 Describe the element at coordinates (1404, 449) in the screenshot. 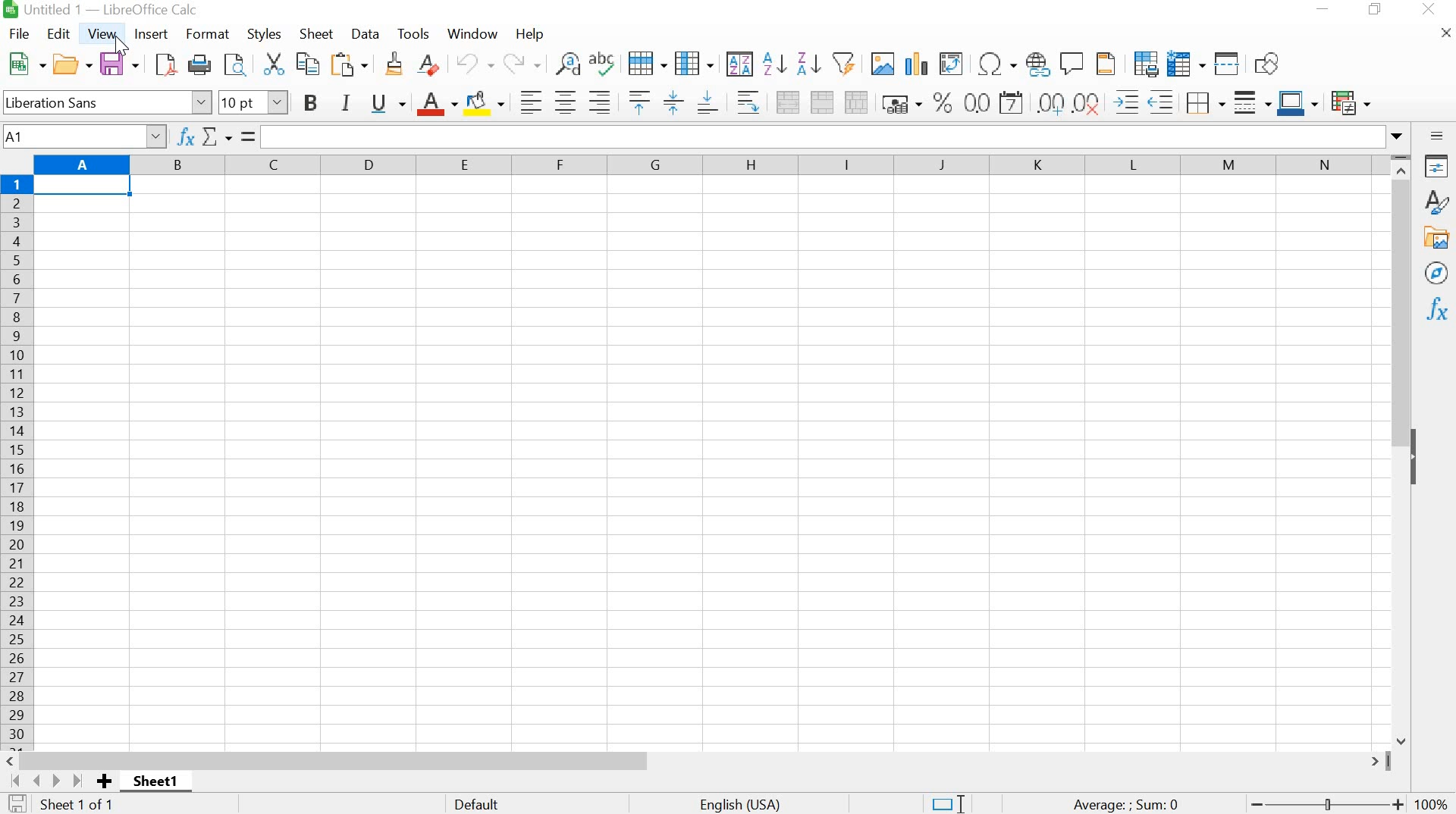

I see `SCROLLBAR` at that location.